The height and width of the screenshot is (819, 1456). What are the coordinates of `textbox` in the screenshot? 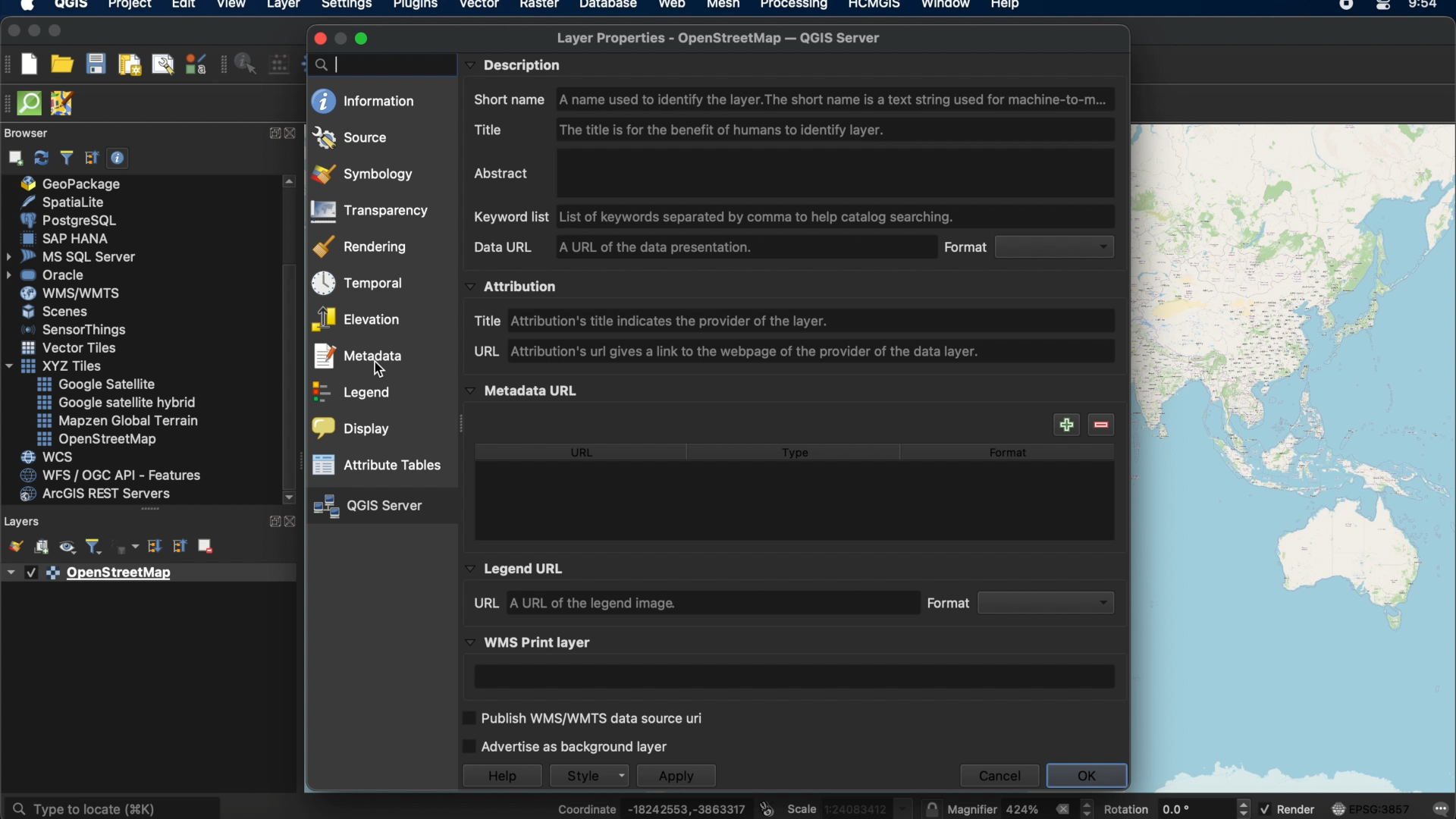 It's located at (795, 676).